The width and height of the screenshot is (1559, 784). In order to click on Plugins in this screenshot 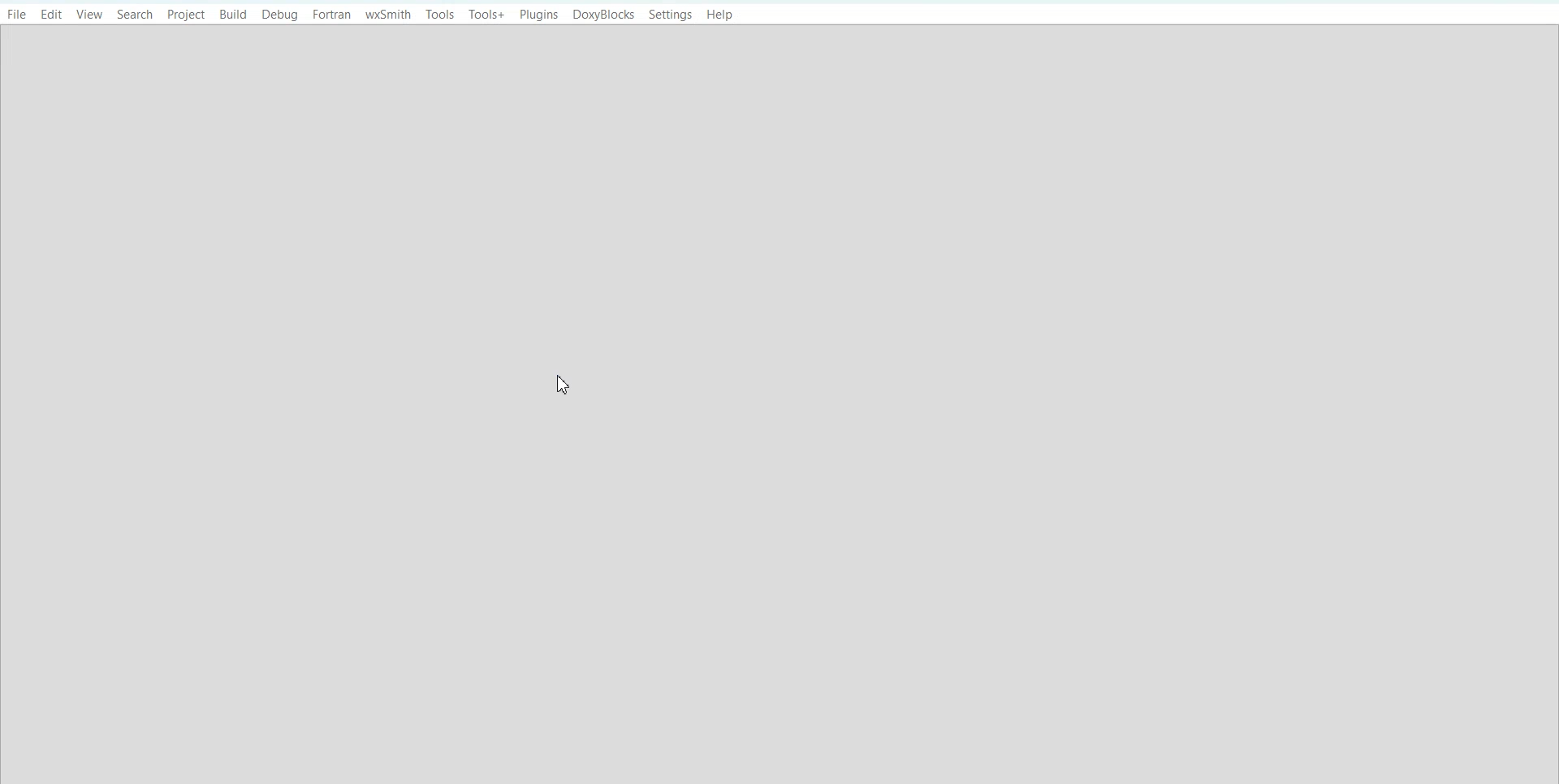, I will do `click(540, 15)`.